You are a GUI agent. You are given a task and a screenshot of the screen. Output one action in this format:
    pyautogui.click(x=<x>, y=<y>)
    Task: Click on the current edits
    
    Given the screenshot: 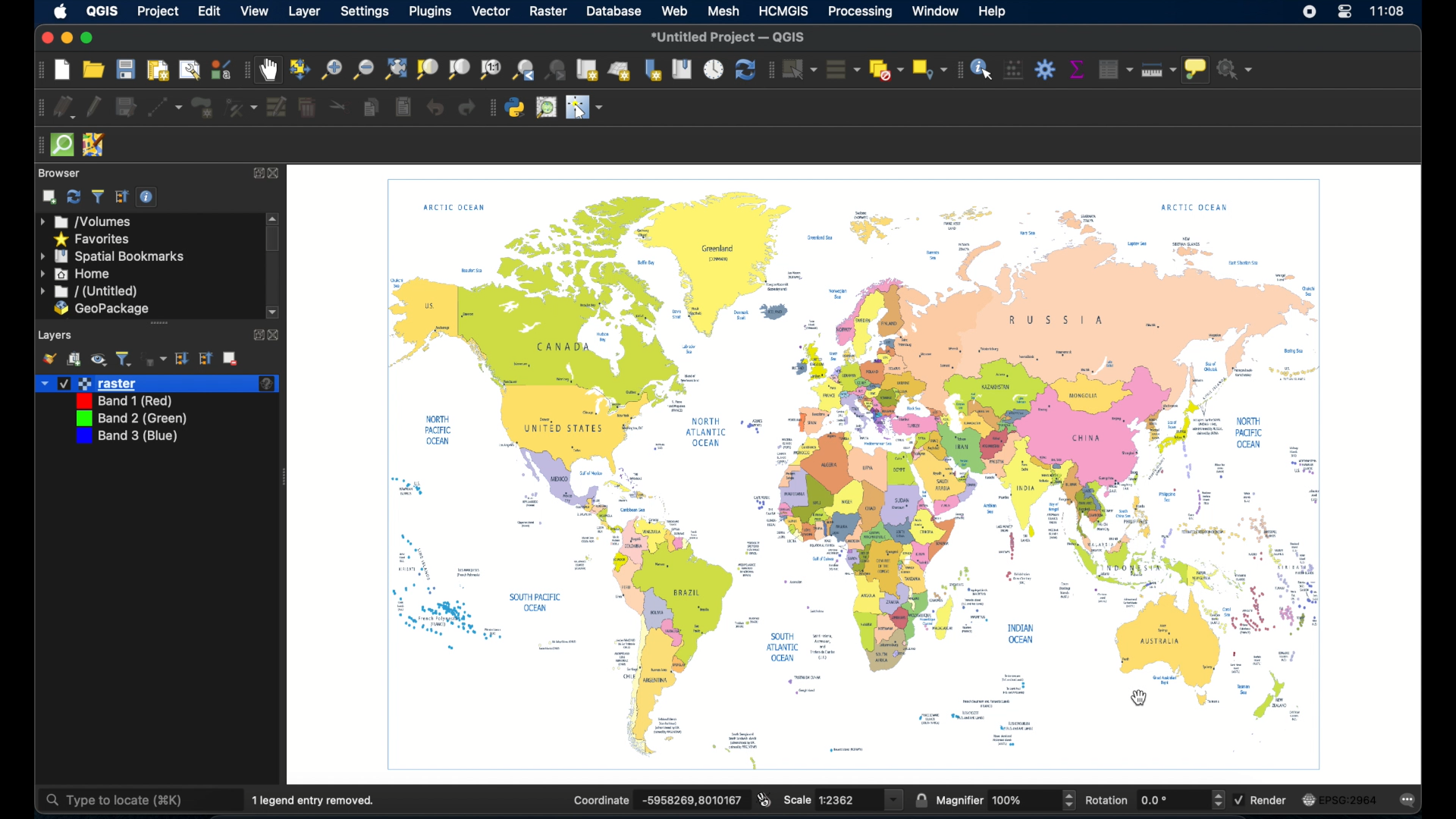 What is the action you would take?
    pyautogui.click(x=64, y=107)
    